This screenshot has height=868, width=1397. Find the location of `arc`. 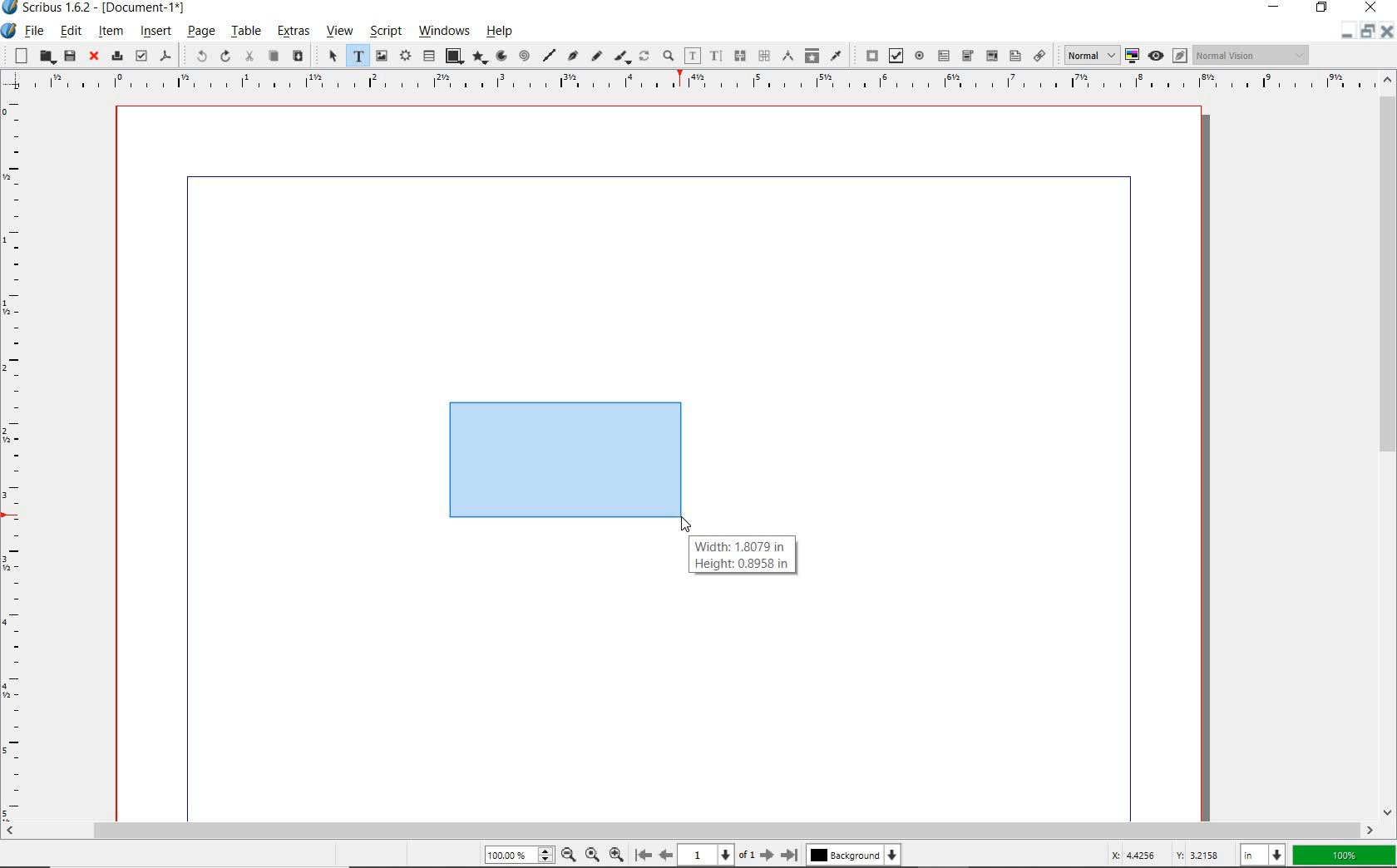

arc is located at coordinates (502, 56).